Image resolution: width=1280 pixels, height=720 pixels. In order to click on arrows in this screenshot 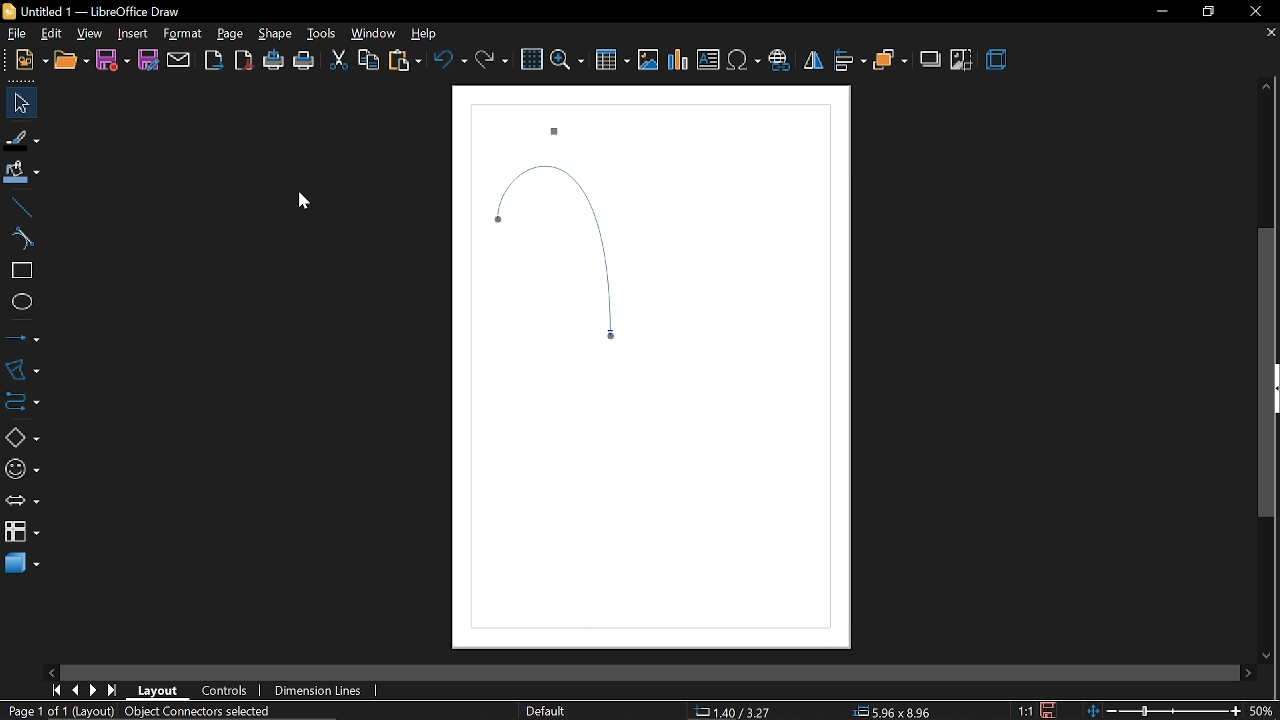, I will do `click(19, 499)`.